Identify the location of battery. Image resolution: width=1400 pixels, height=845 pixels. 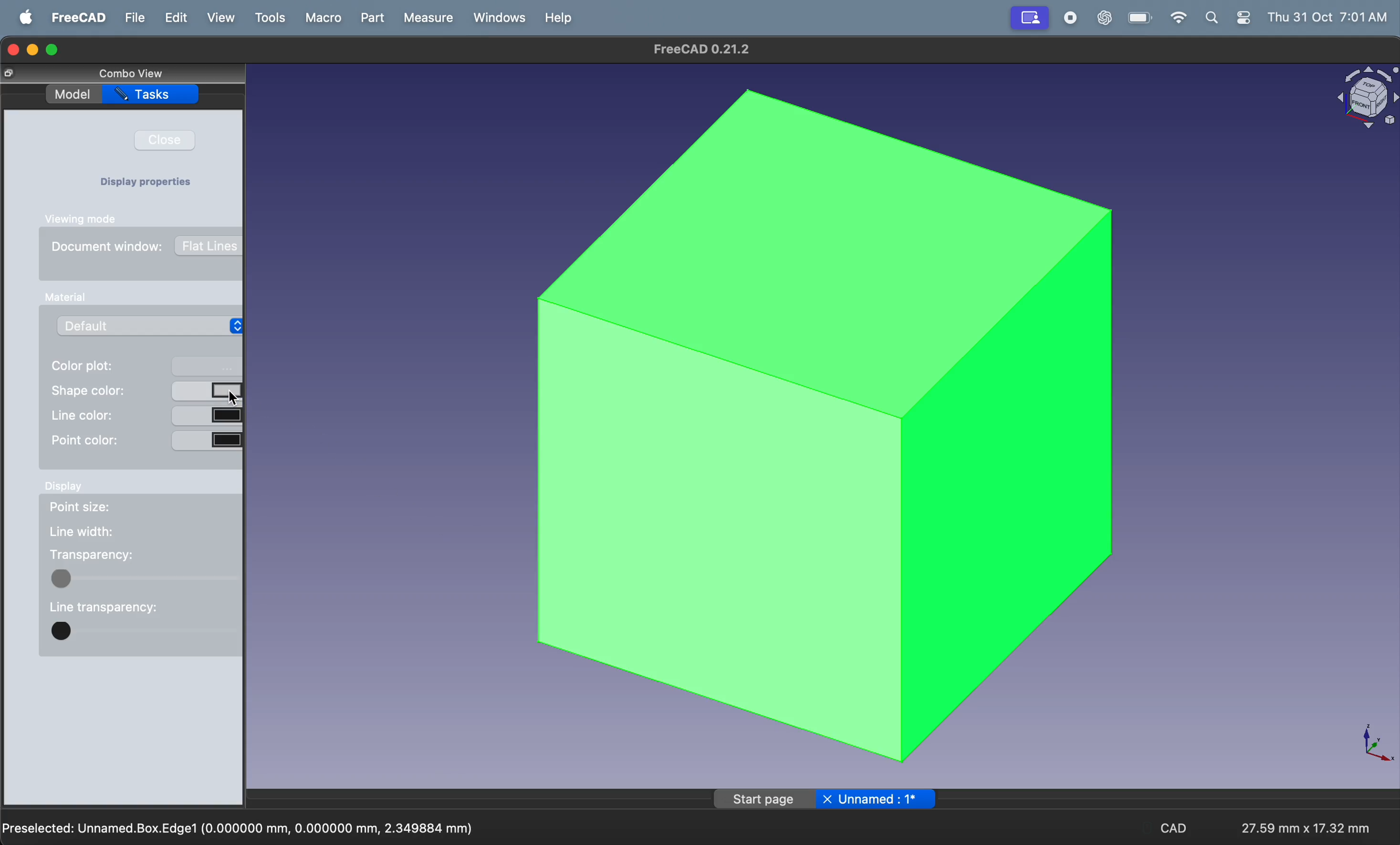
(1136, 18).